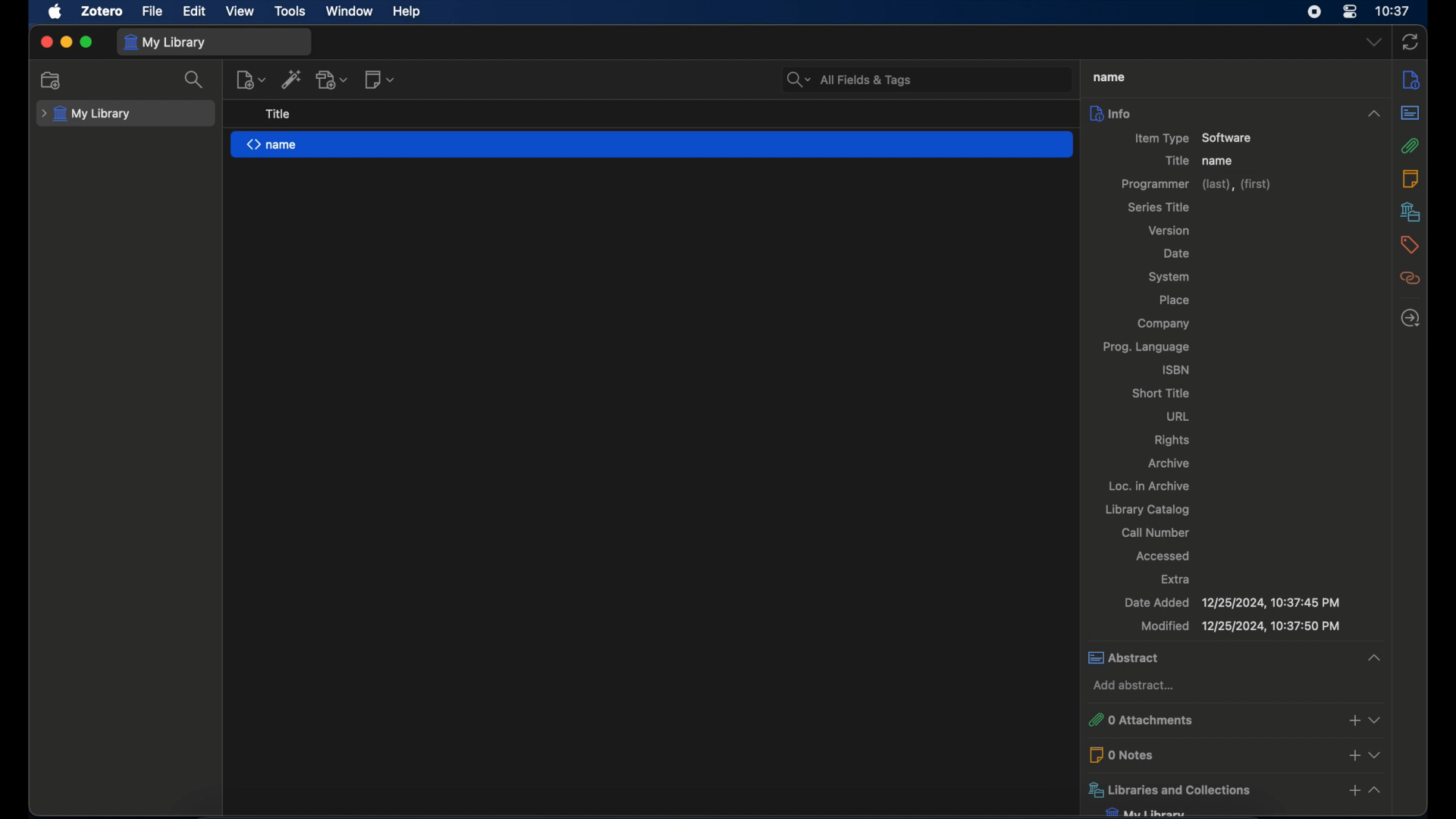 The width and height of the screenshot is (1456, 819). What do you see at coordinates (1351, 756) in the screenshot?
I see `add notes` at bounding box center [1351, 756].